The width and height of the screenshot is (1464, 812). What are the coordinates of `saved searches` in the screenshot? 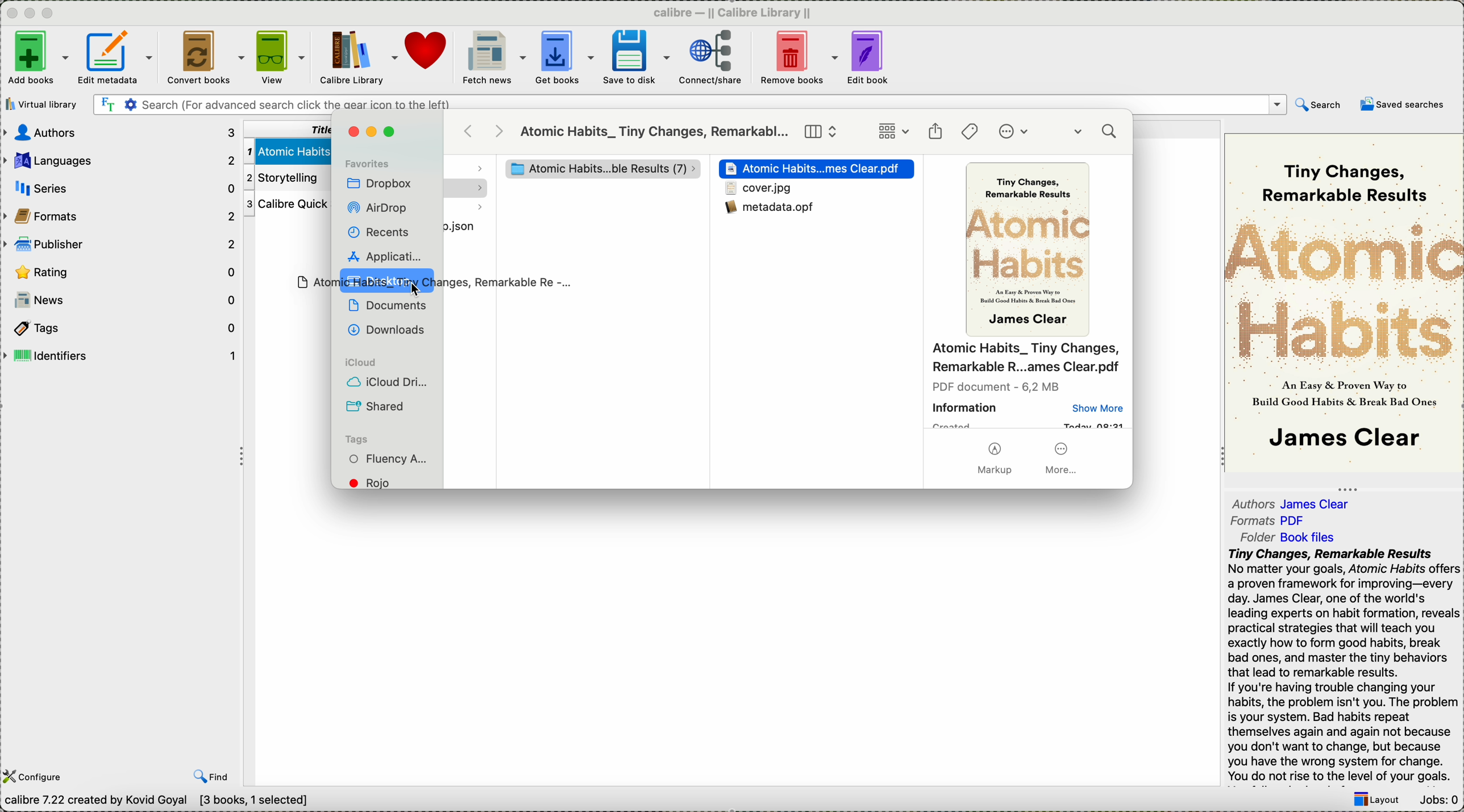 It's located at (1403, 104).